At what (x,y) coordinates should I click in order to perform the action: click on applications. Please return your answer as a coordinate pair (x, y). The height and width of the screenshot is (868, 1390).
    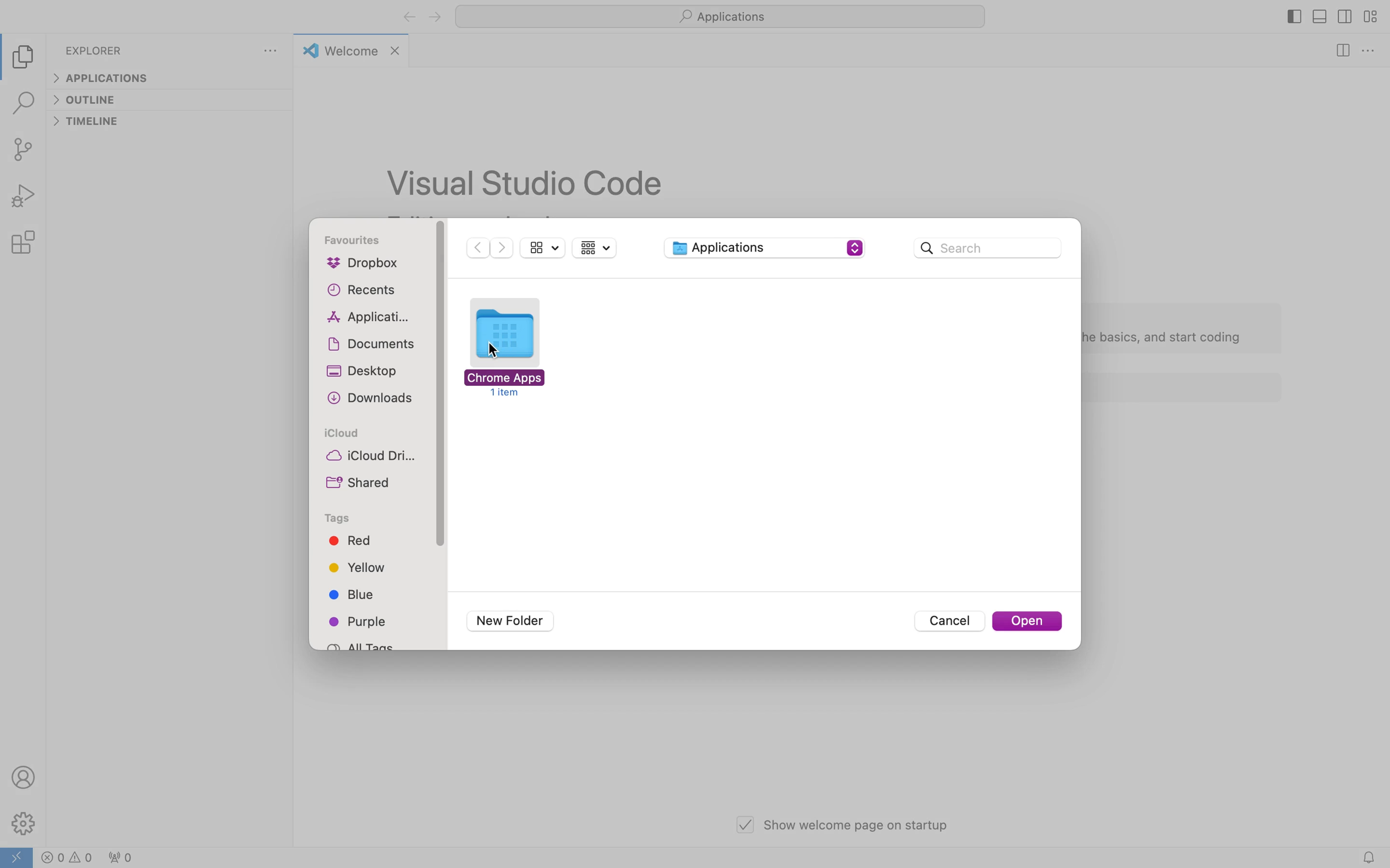
    Looking at the image, I should click on (720, 15).